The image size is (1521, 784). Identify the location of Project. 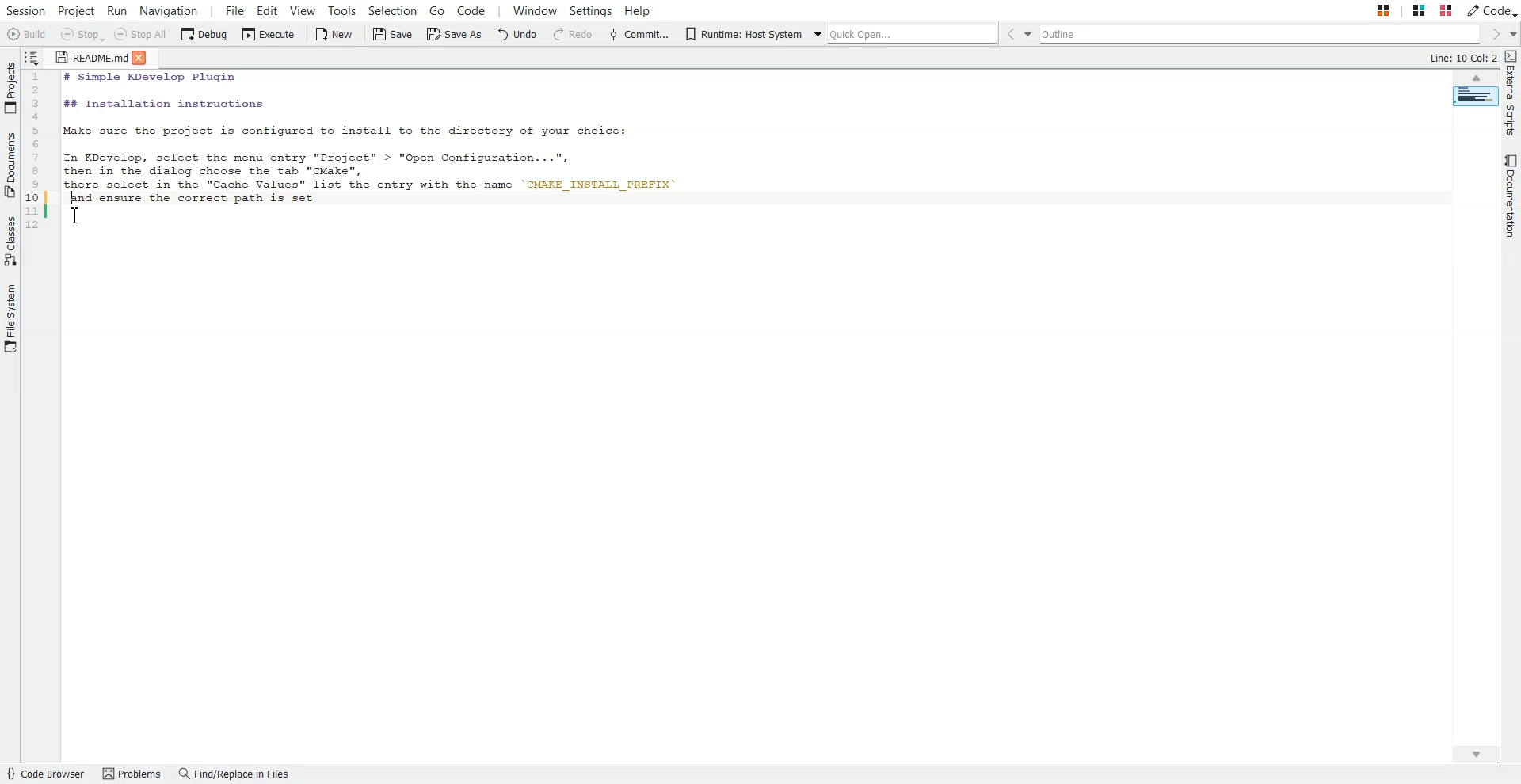
(76, 10).